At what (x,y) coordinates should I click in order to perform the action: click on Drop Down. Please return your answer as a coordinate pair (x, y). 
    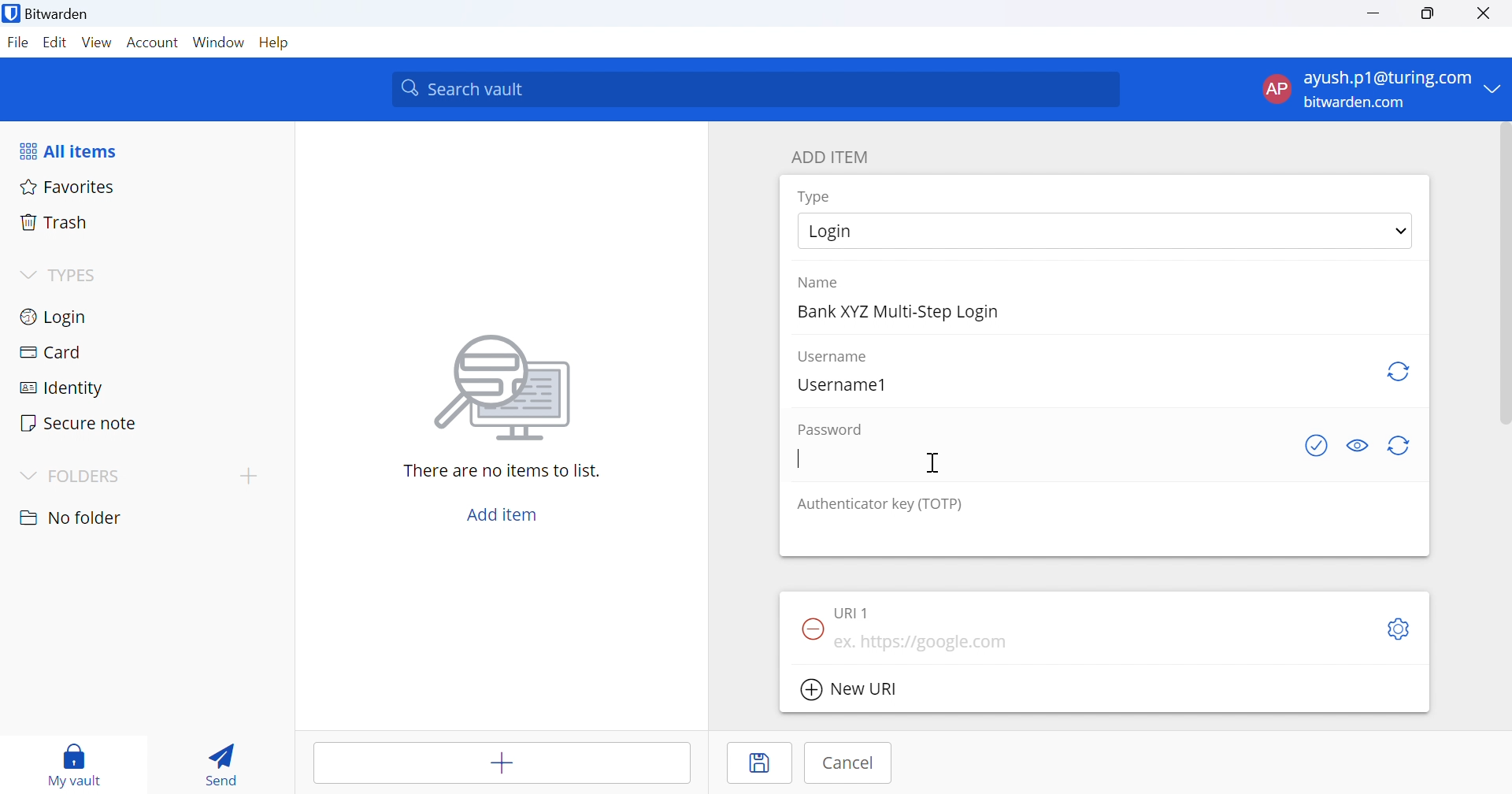
    Looking at the image, I should click on (29, 475).